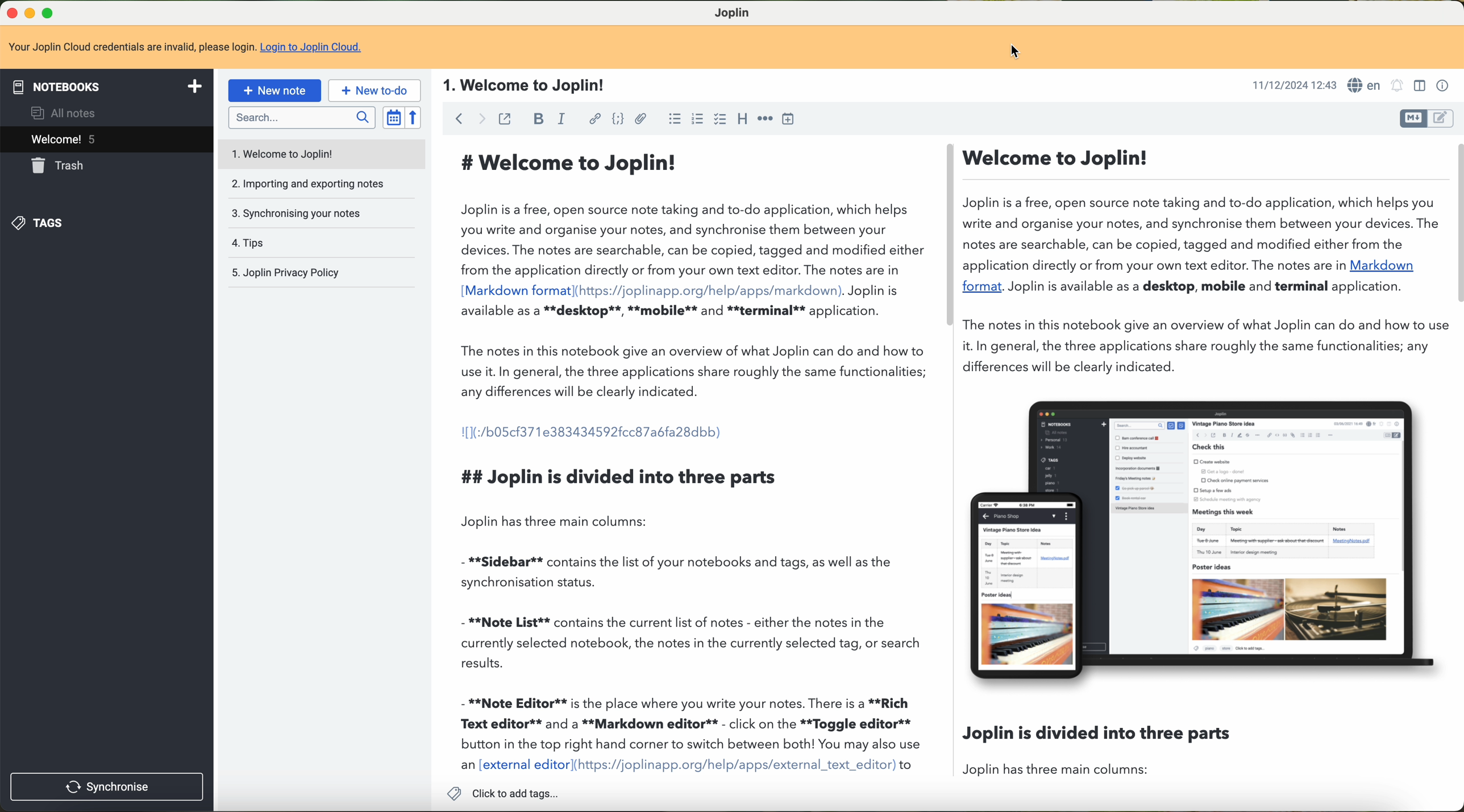  Describe the element at coordinates (1018, 49) in the screenshot. I see `cursor` at that location.